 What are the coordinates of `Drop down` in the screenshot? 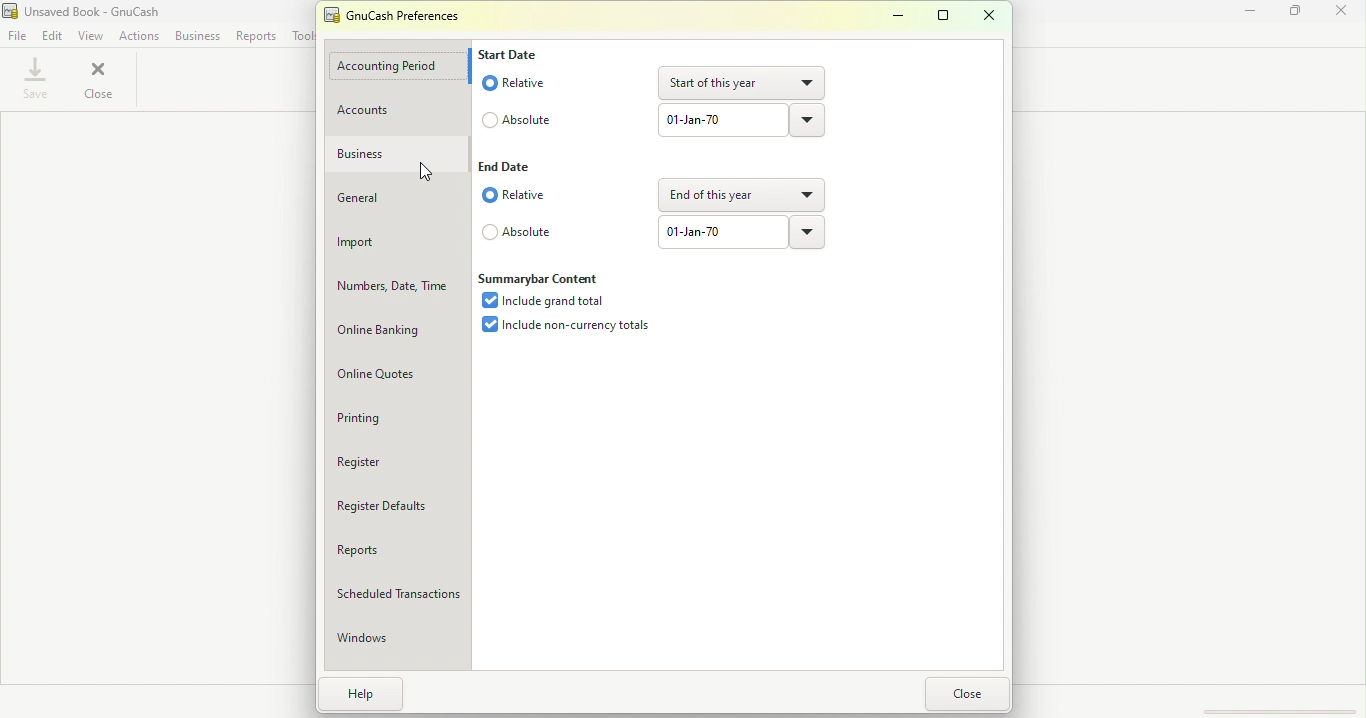 It's located at (812, 234).